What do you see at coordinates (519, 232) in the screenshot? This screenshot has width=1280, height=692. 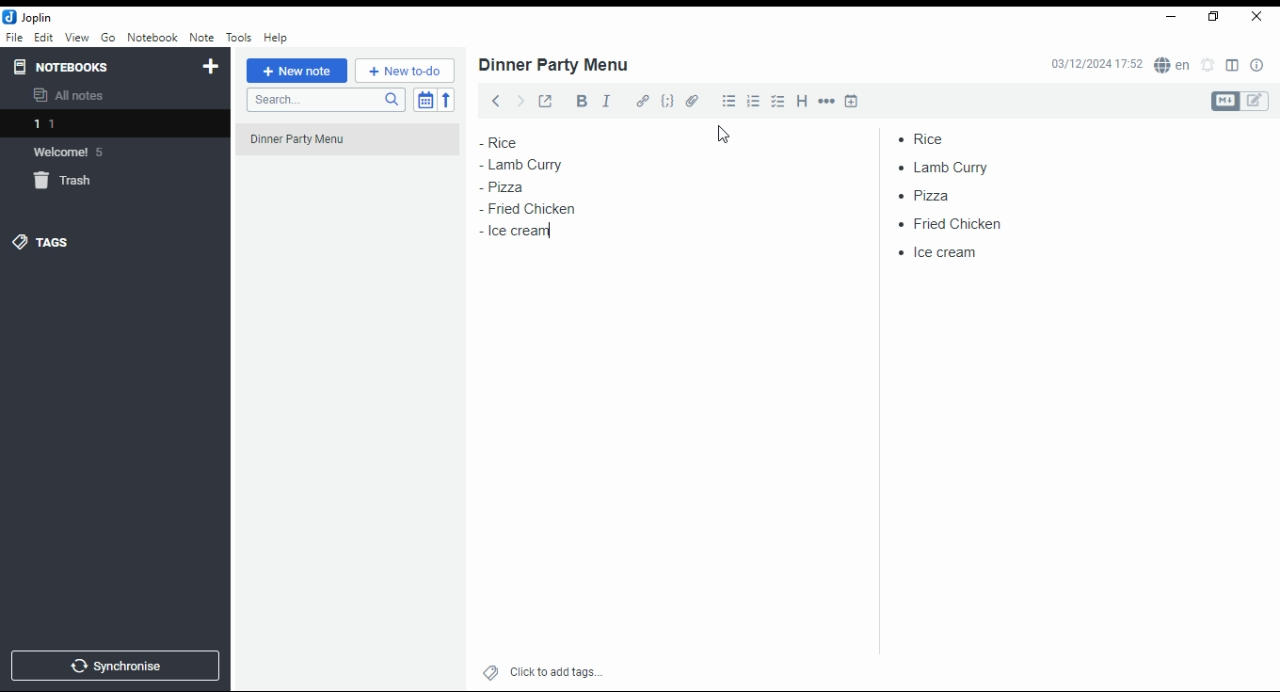 I see `ice cream` at bounding box center [519, 232].